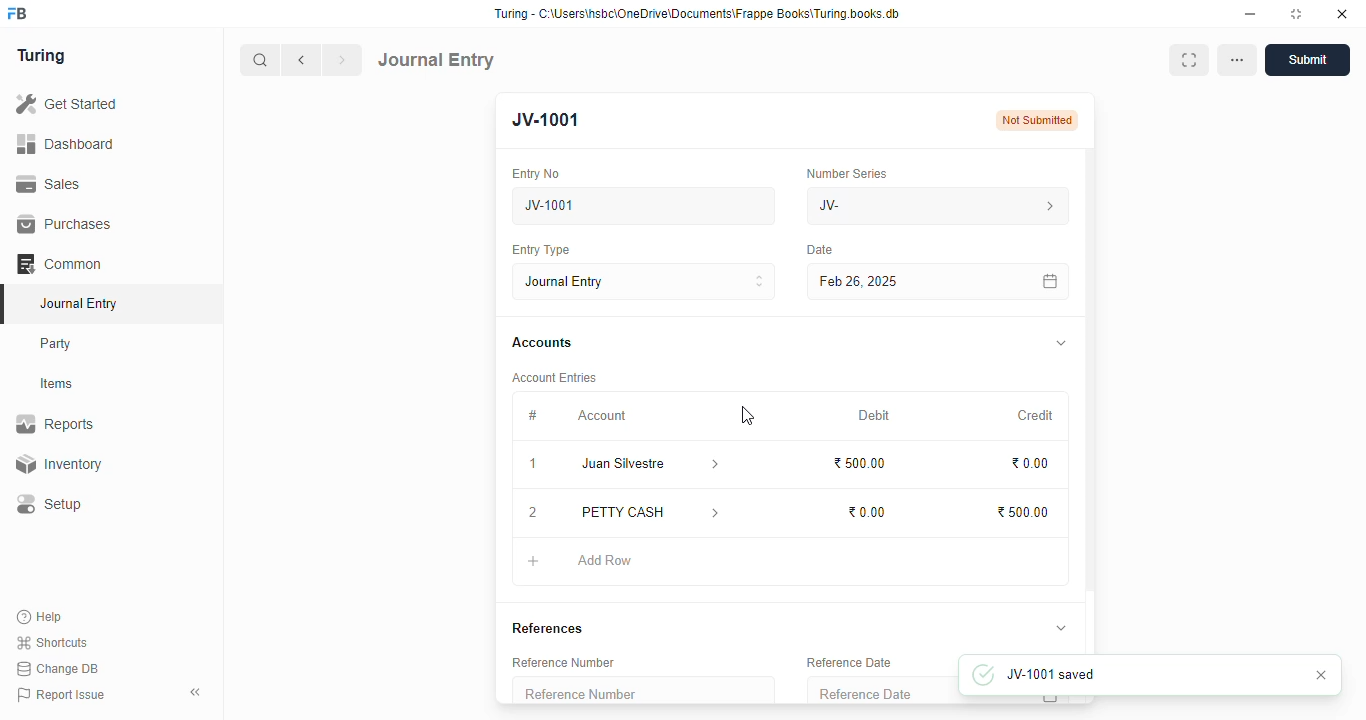 The image size is (1366, 720). What do you see at coordinates (642, 690) in the screenshot?
I see `reference number` at bounding box center [642, 690].